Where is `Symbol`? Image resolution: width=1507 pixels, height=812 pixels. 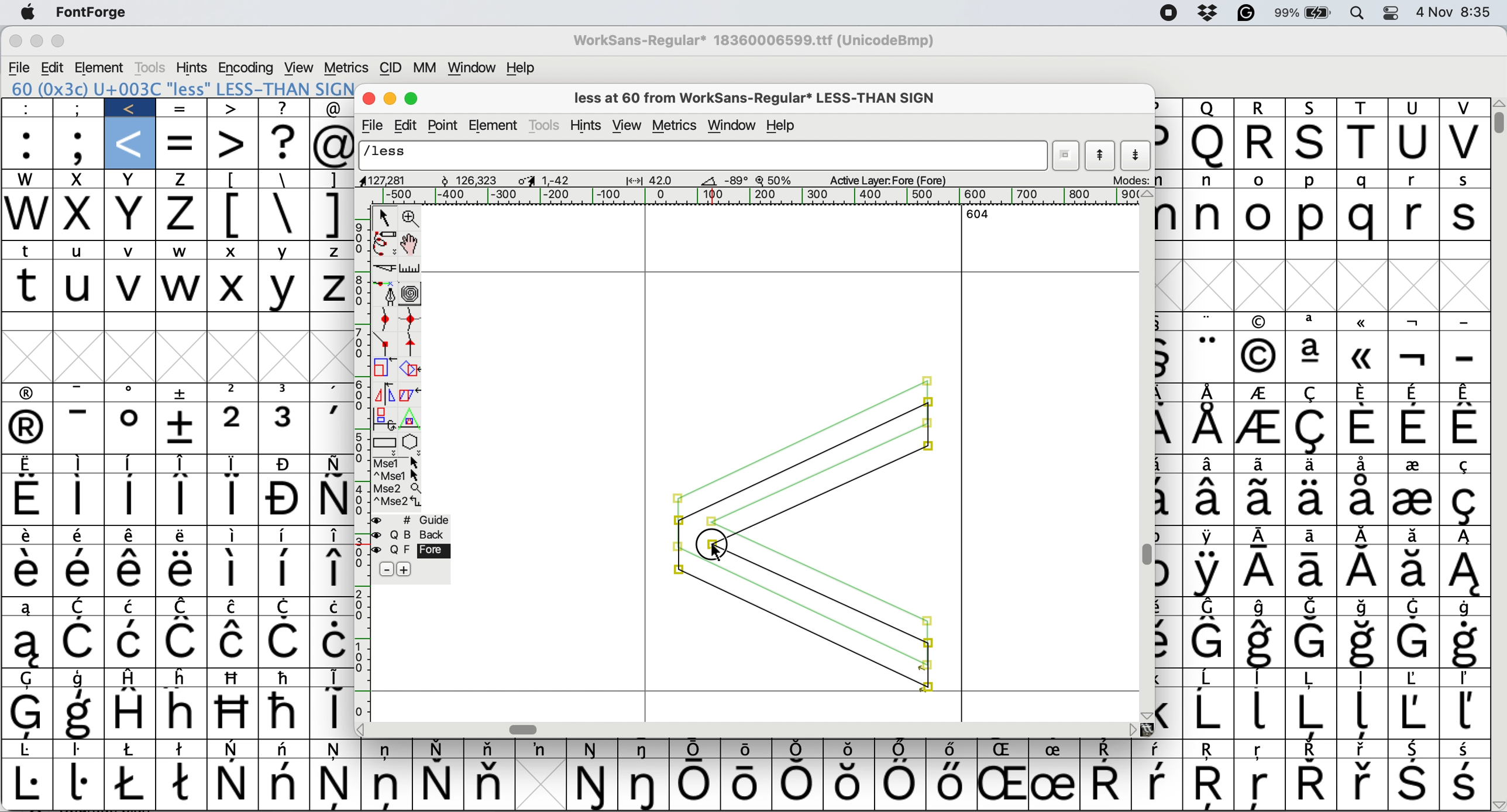
Symbol is located at coordinates (176, 570).